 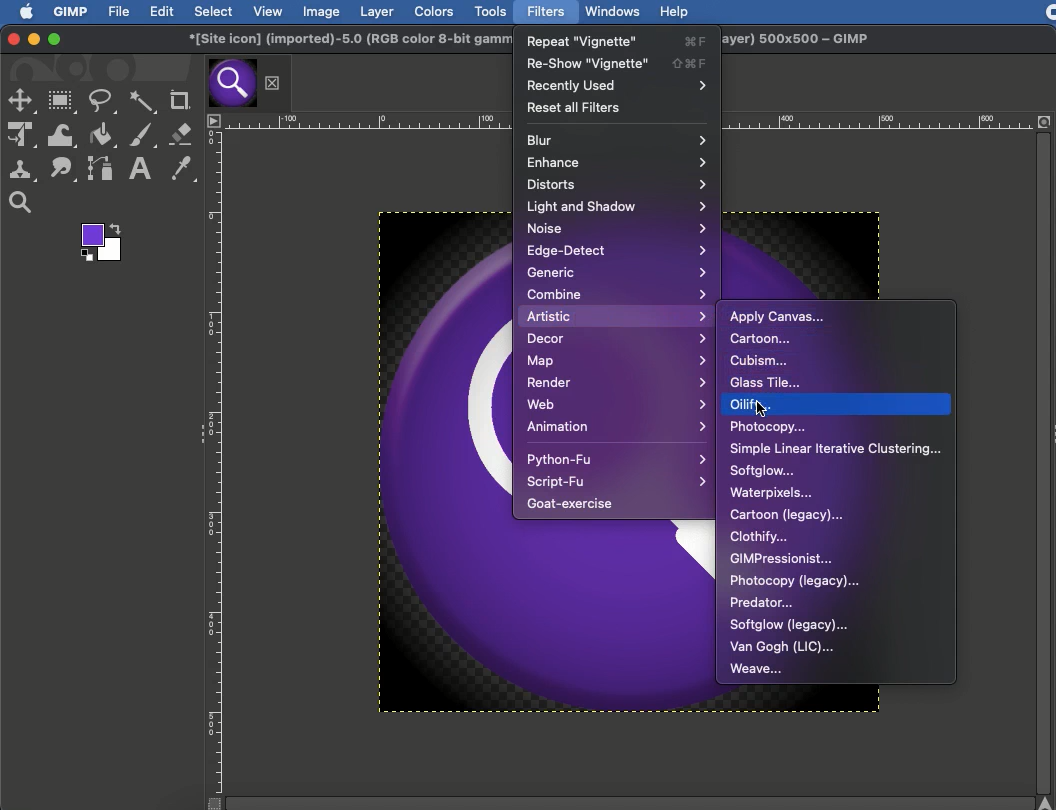 What do you see at coordinates (1047, 472) in the screenshot?
I see `Scroll` at bounding box center [1047, 472].